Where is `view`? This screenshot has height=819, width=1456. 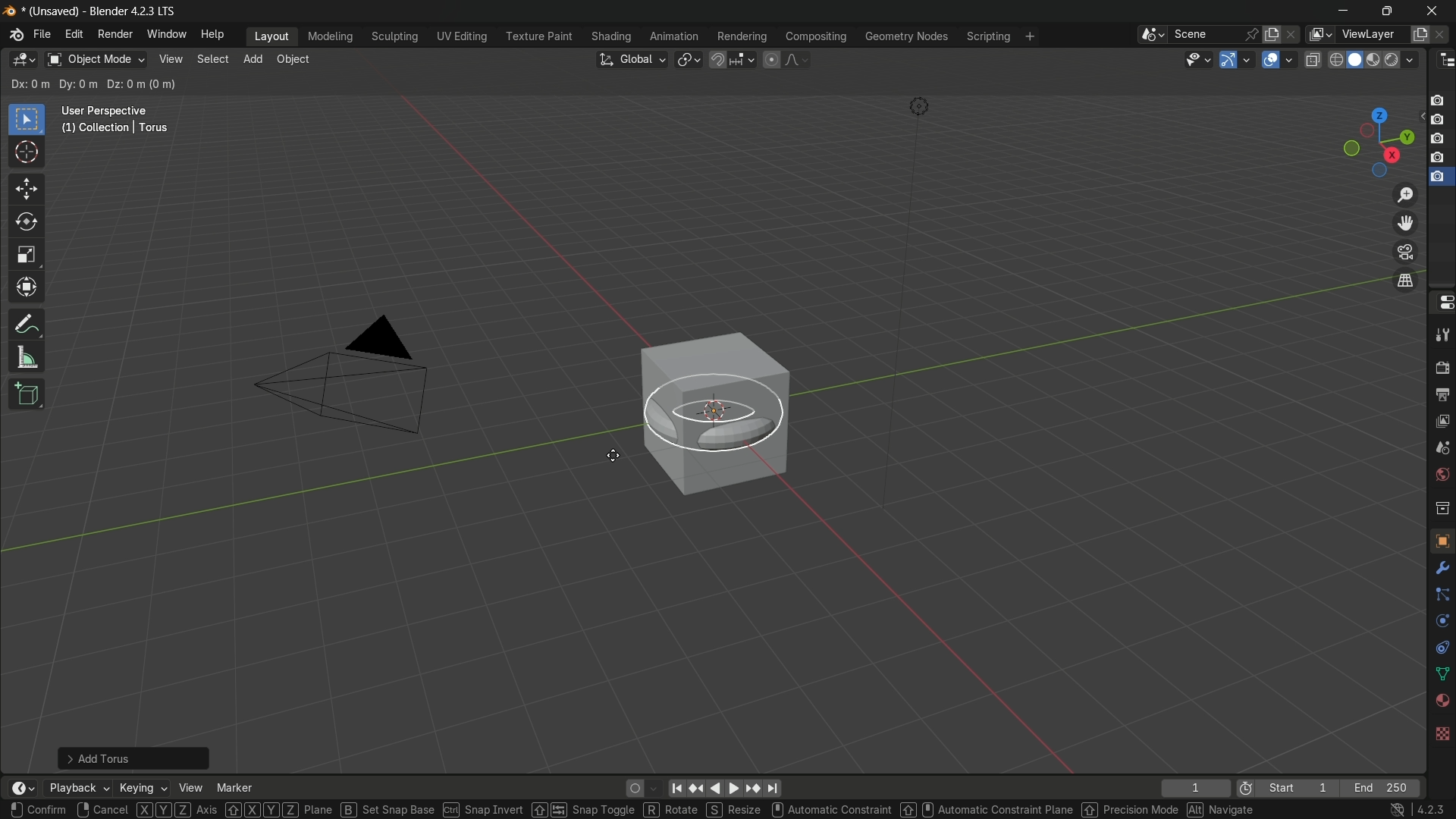
view is located at coordinates (169, 59).